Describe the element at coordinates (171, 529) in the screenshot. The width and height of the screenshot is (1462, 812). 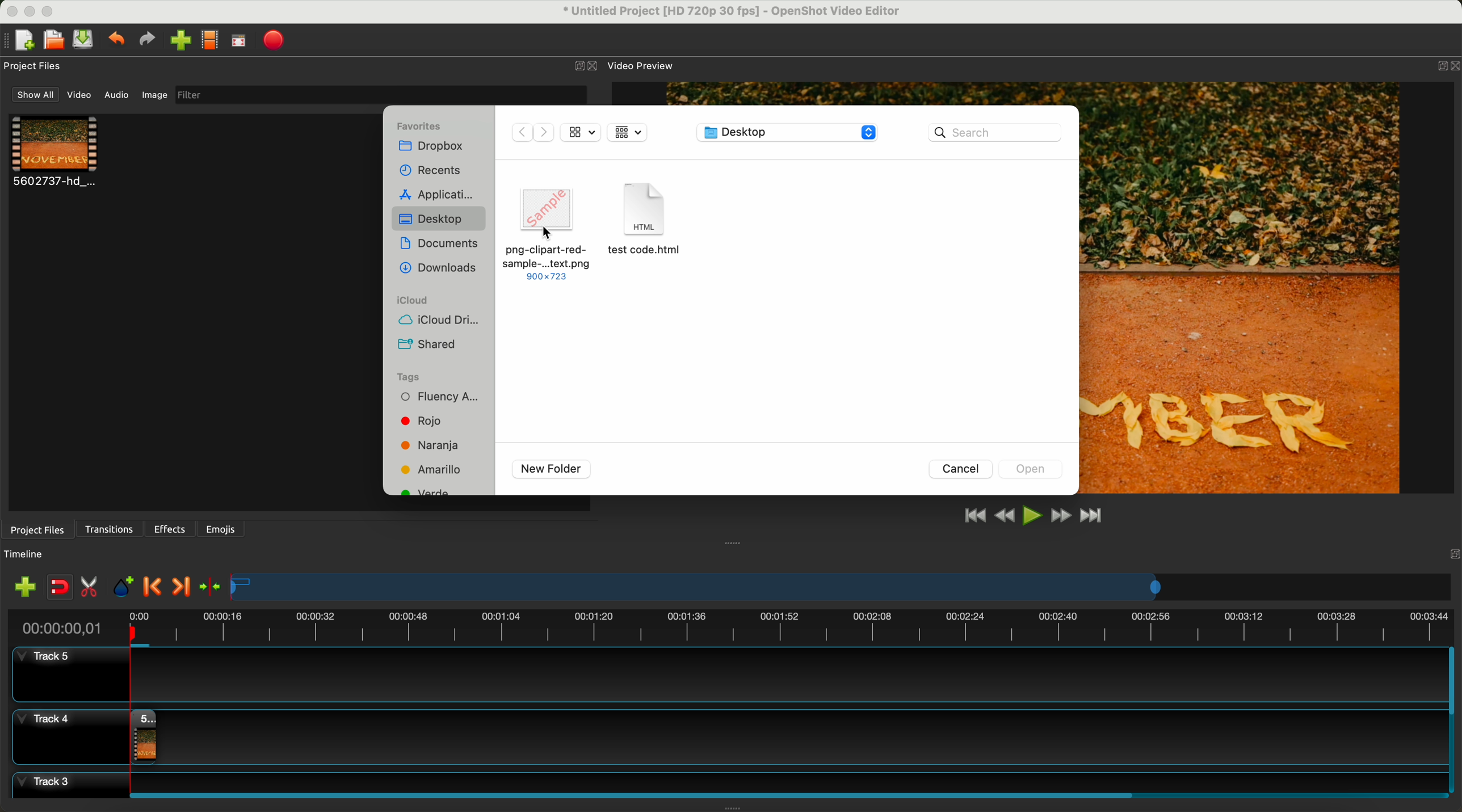
I see `effects` at that location.